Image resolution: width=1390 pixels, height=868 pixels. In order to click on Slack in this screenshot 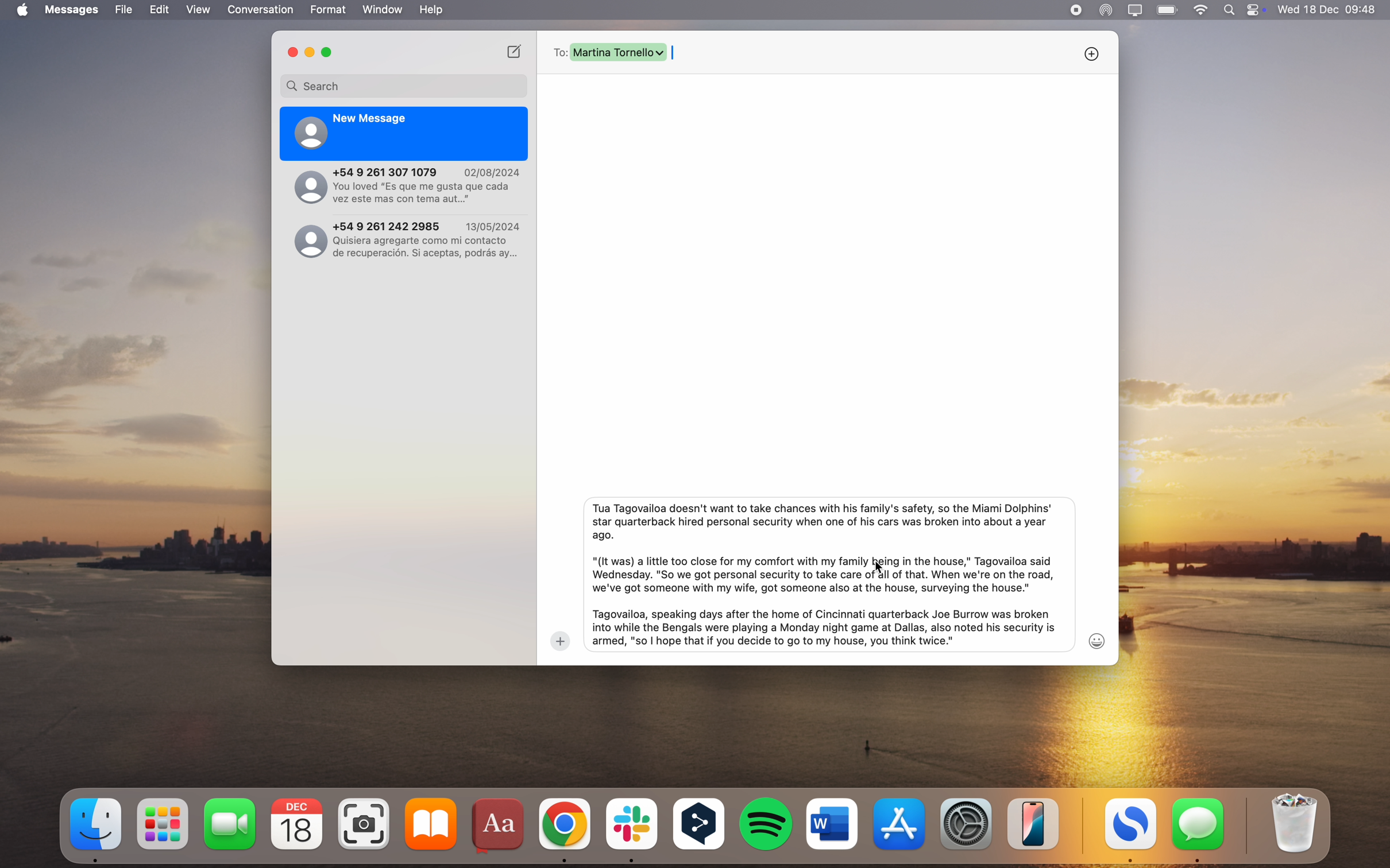, I will do `click(631, 830)`.